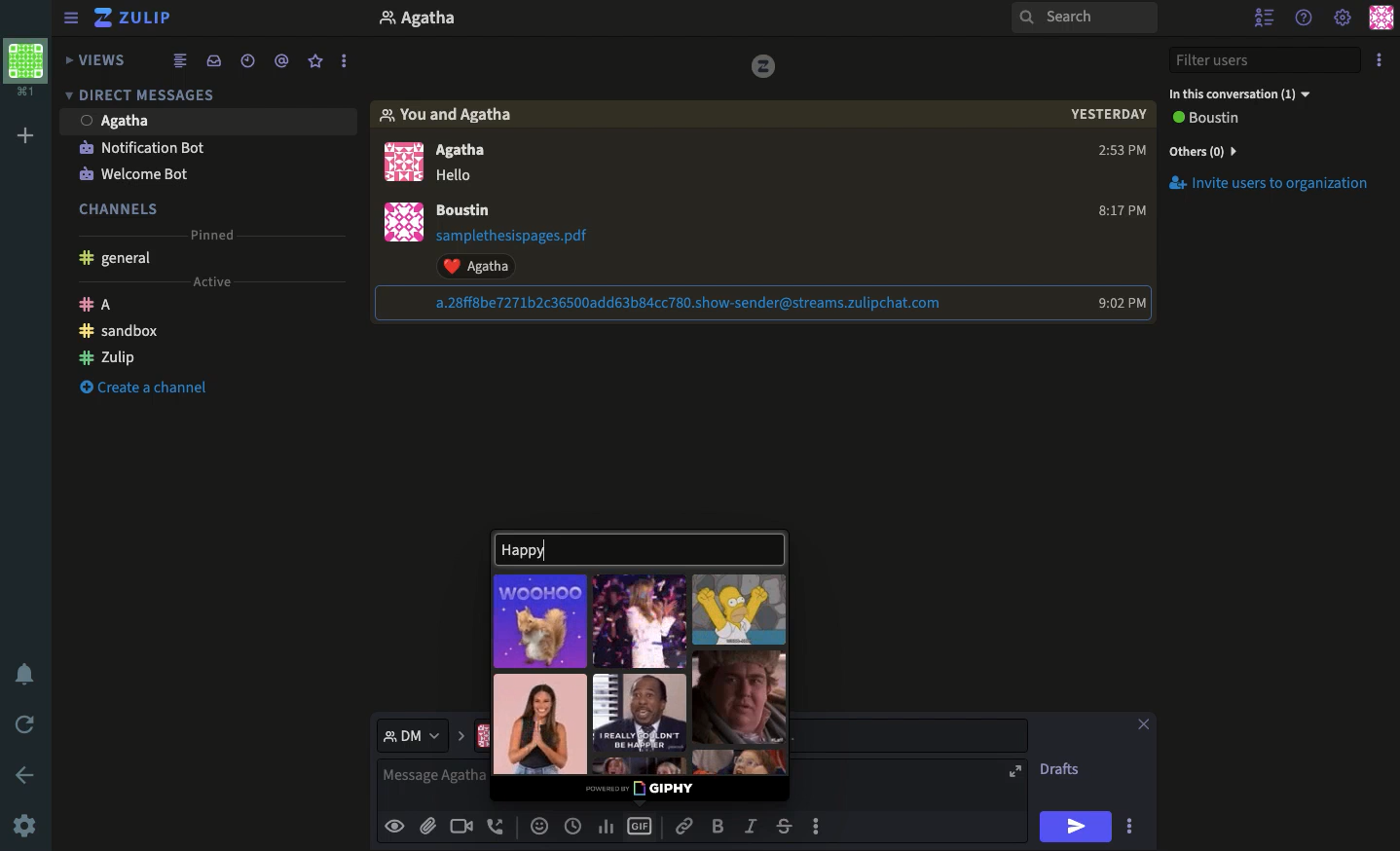  What do you see at coordinates (541, 620) in the screenshot?
I see `GIFs` at bounding box center [541, 620].